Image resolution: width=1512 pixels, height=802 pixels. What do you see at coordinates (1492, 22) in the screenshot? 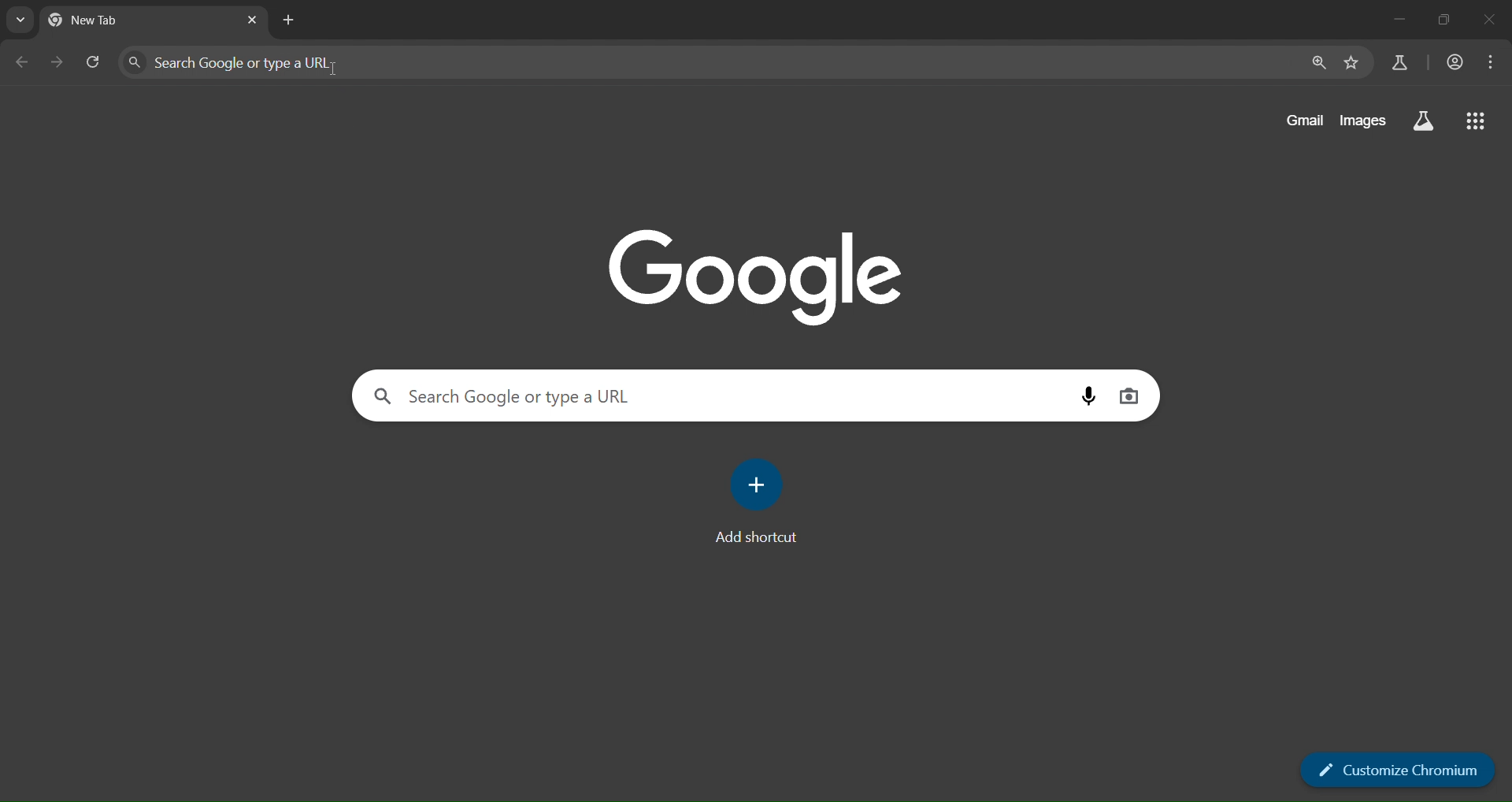
I see `close` at bounding box center [1492, 22].